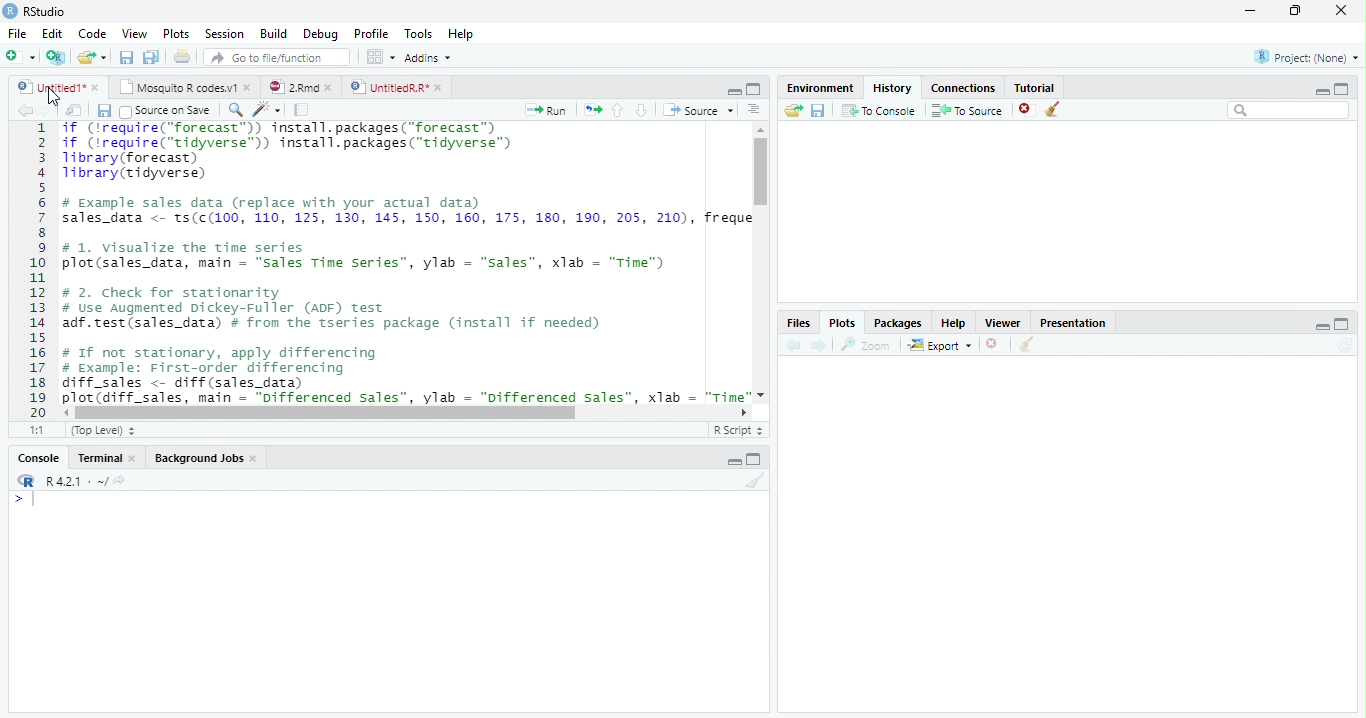  What do you see at coordinates (460, 33) in the screenshot?
I see `Help` at bounding box center [460, 33].